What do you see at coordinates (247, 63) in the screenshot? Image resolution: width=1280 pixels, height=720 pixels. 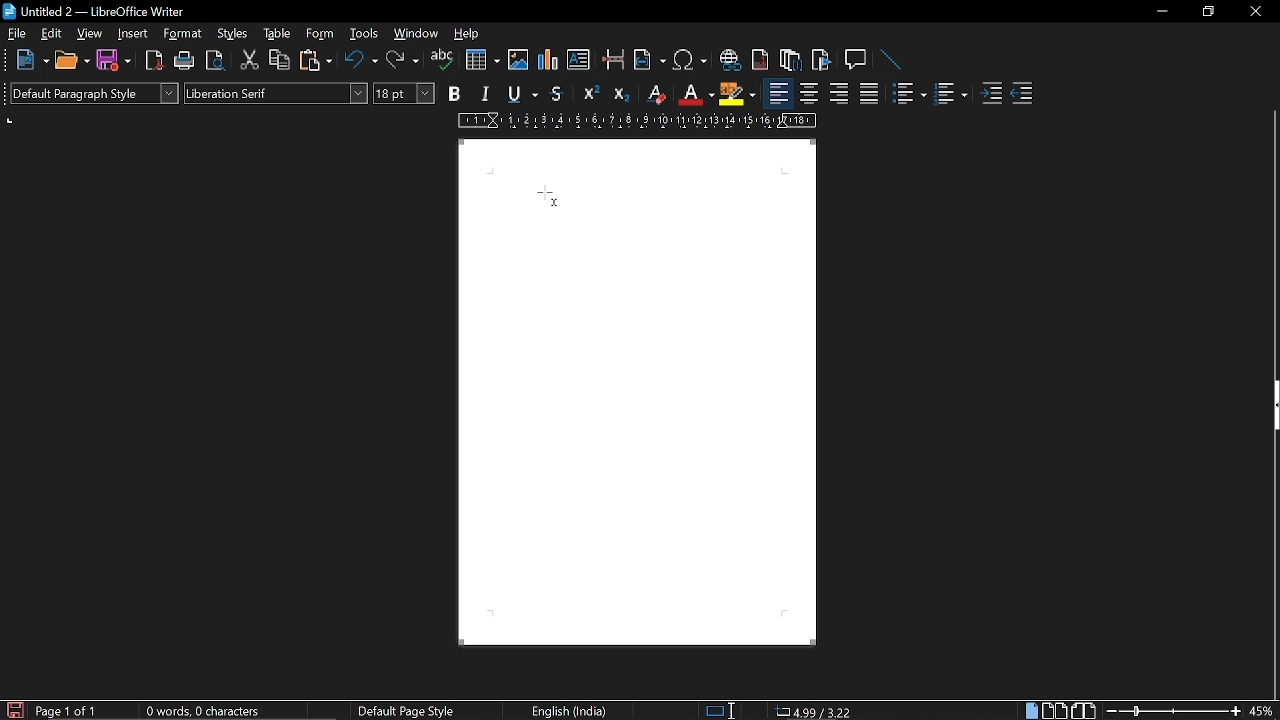 I see `cut` at bounding box center [247, 63].